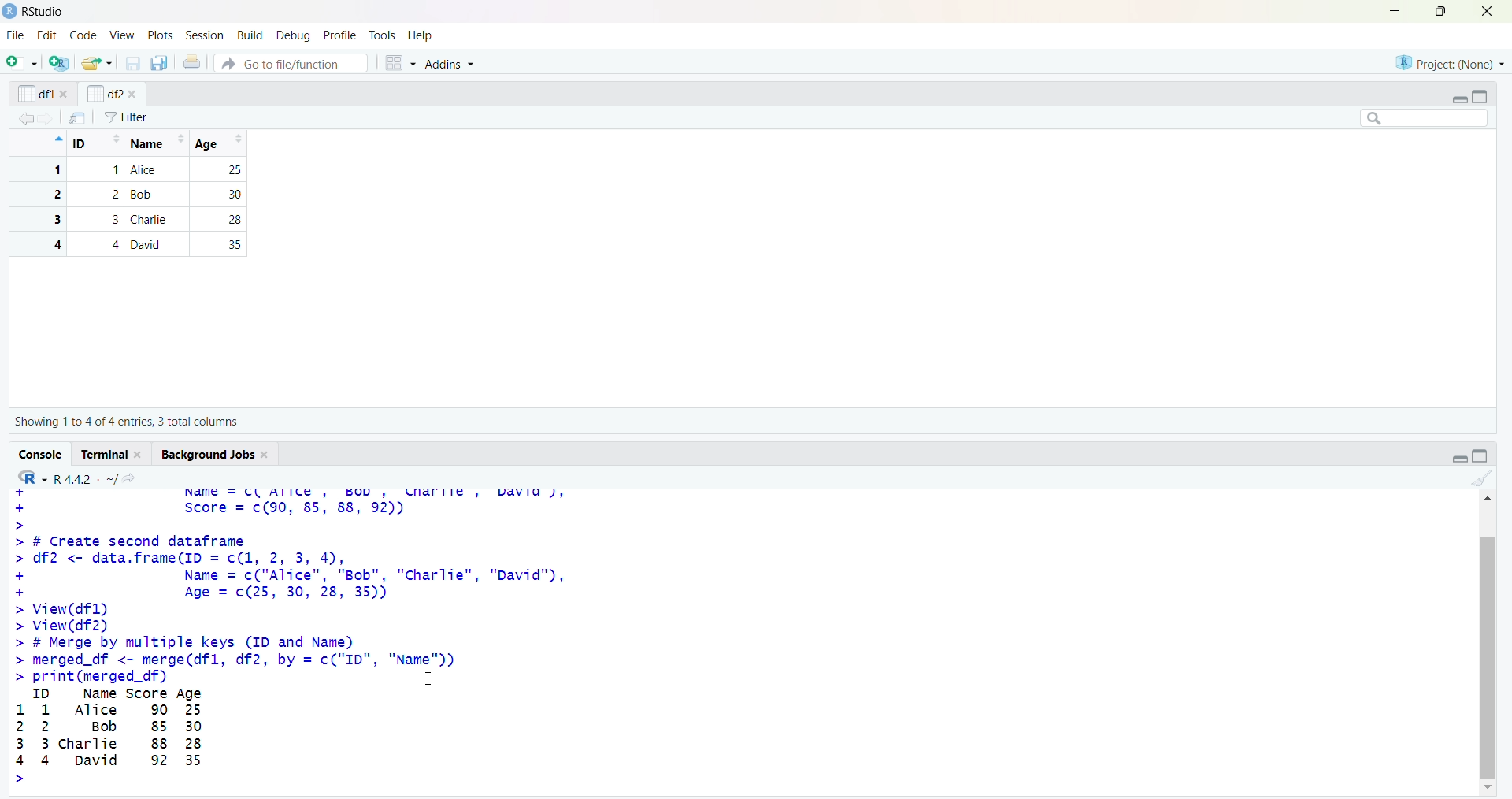  What do you see at coordinates (252, 36) in the screenshot?
I see `build` at bounding box center [252, 36].